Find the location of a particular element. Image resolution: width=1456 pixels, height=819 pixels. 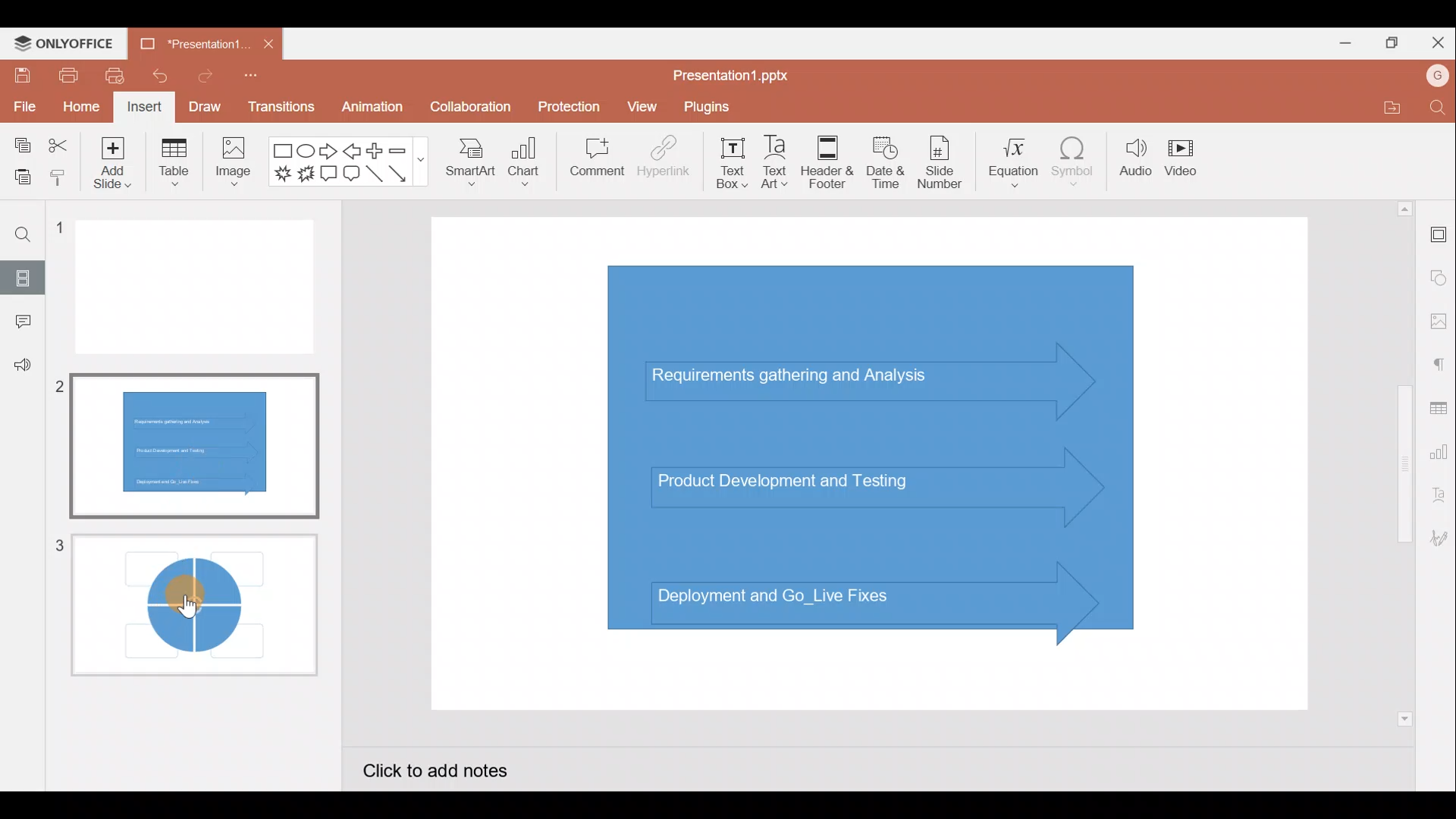

Text Art is located at coordinates (780, 163).